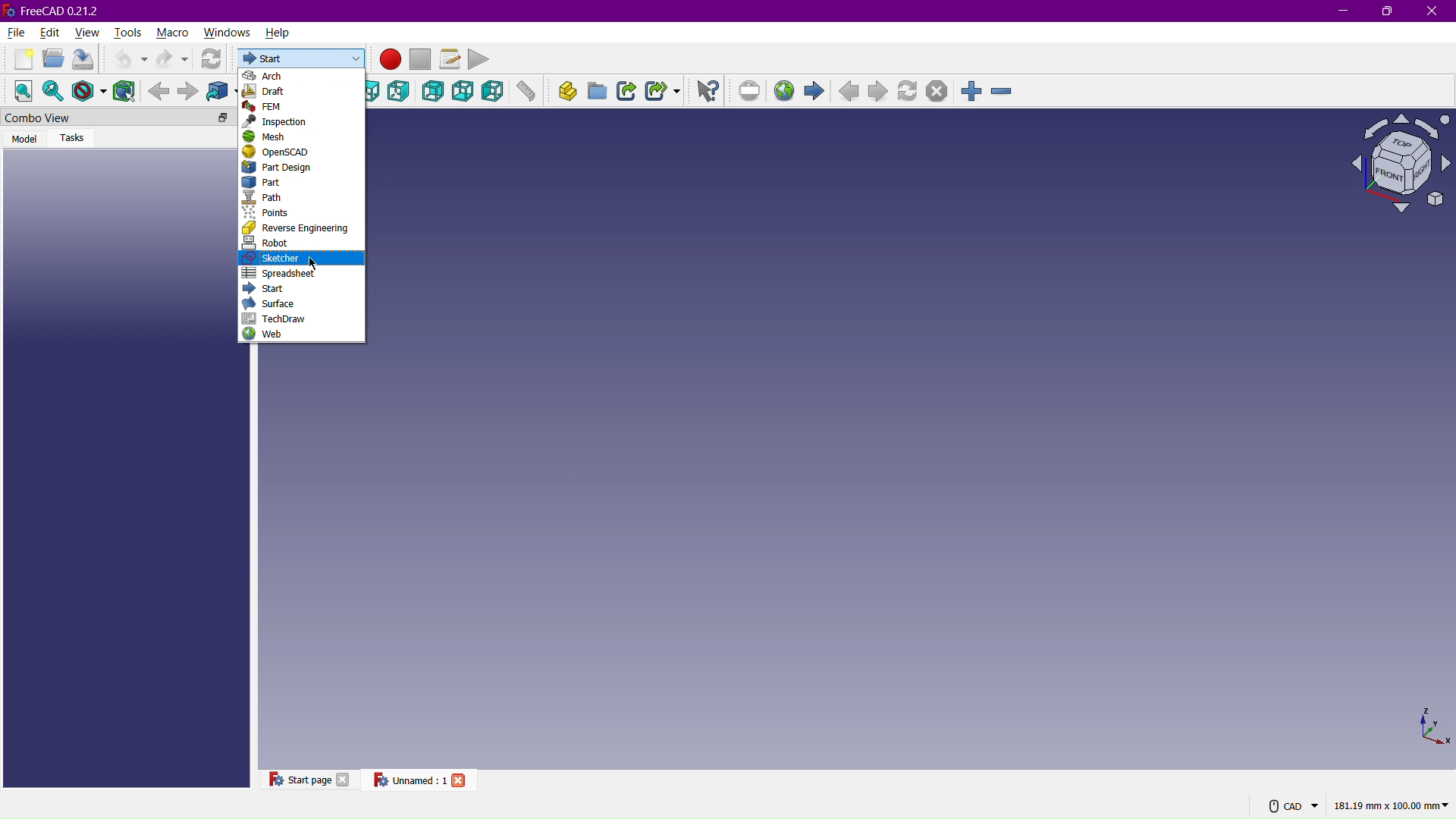 The height and width of the screenshot is (819, 1456). What do you see at coordinates (705, 89) in the screenshot?
I see `What's This?` at bounding box center [705, 89].